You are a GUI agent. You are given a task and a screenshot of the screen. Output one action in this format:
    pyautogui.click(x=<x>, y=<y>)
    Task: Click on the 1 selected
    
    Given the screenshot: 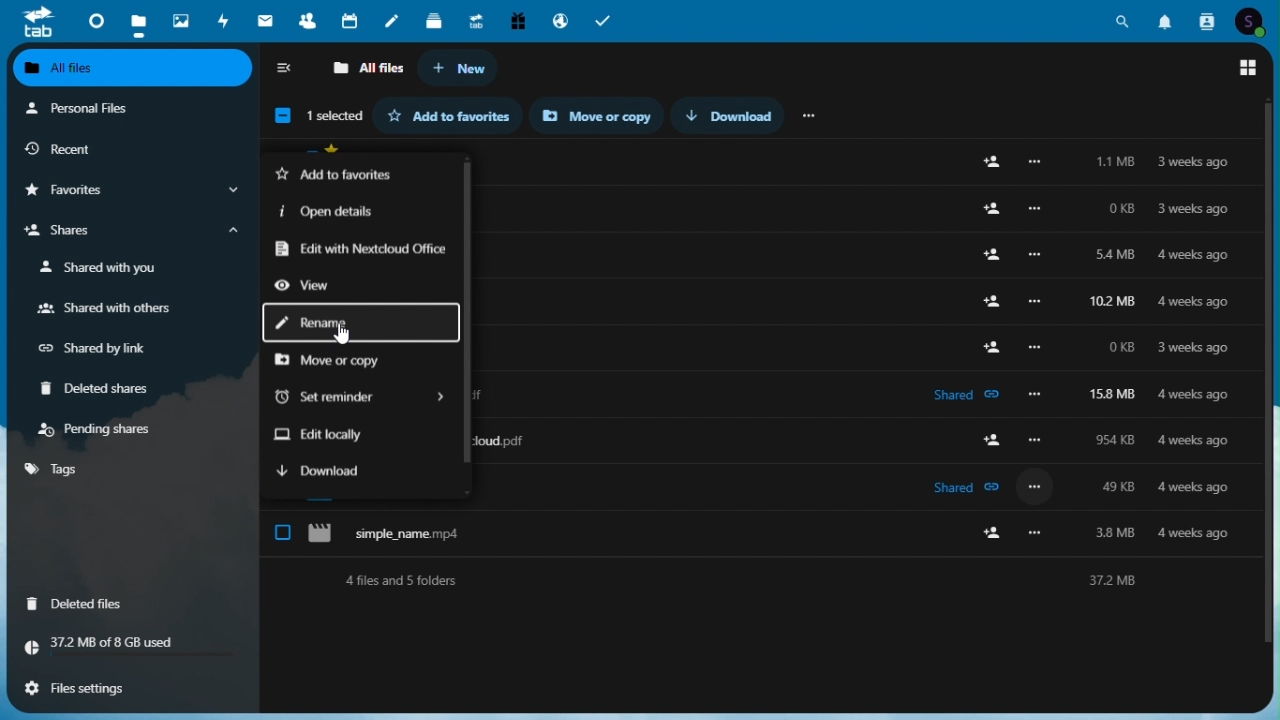 What is the action you would take?
    pyautogui.click(x=315, y=118)
    